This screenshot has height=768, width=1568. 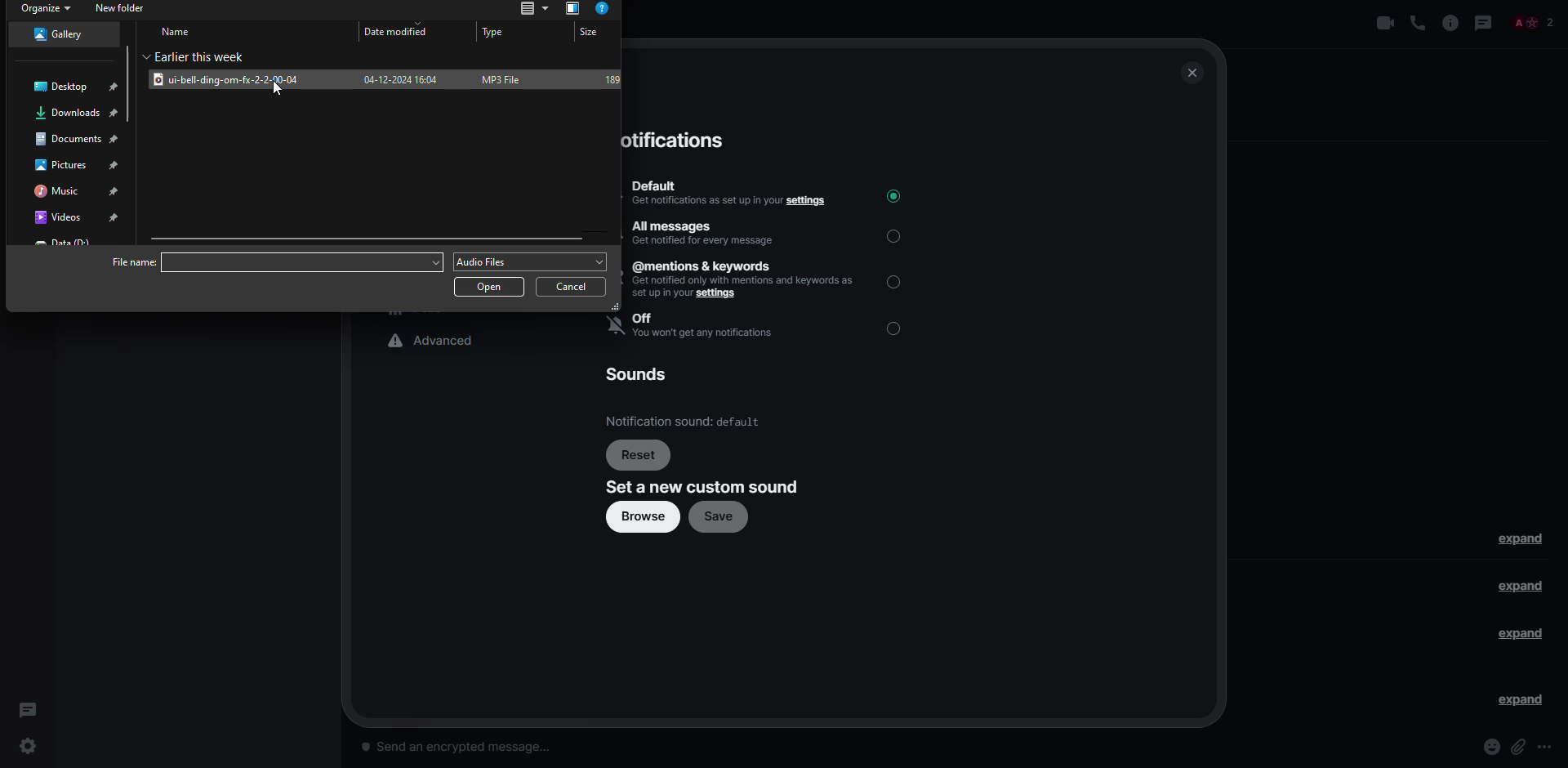 I want to click on Videos, so click(x=77, y=215).